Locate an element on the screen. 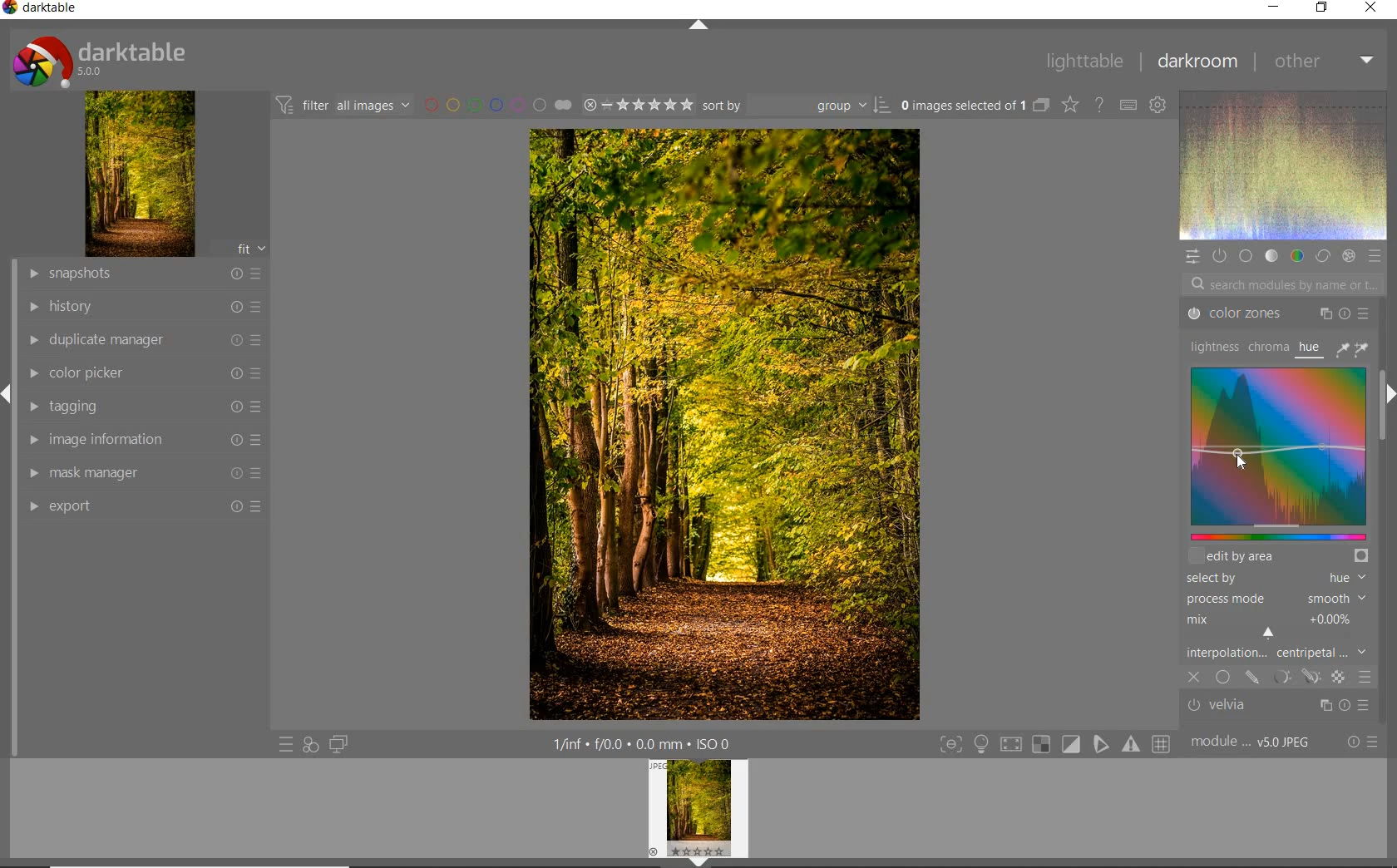  close is located at coordinates (1195, 678).